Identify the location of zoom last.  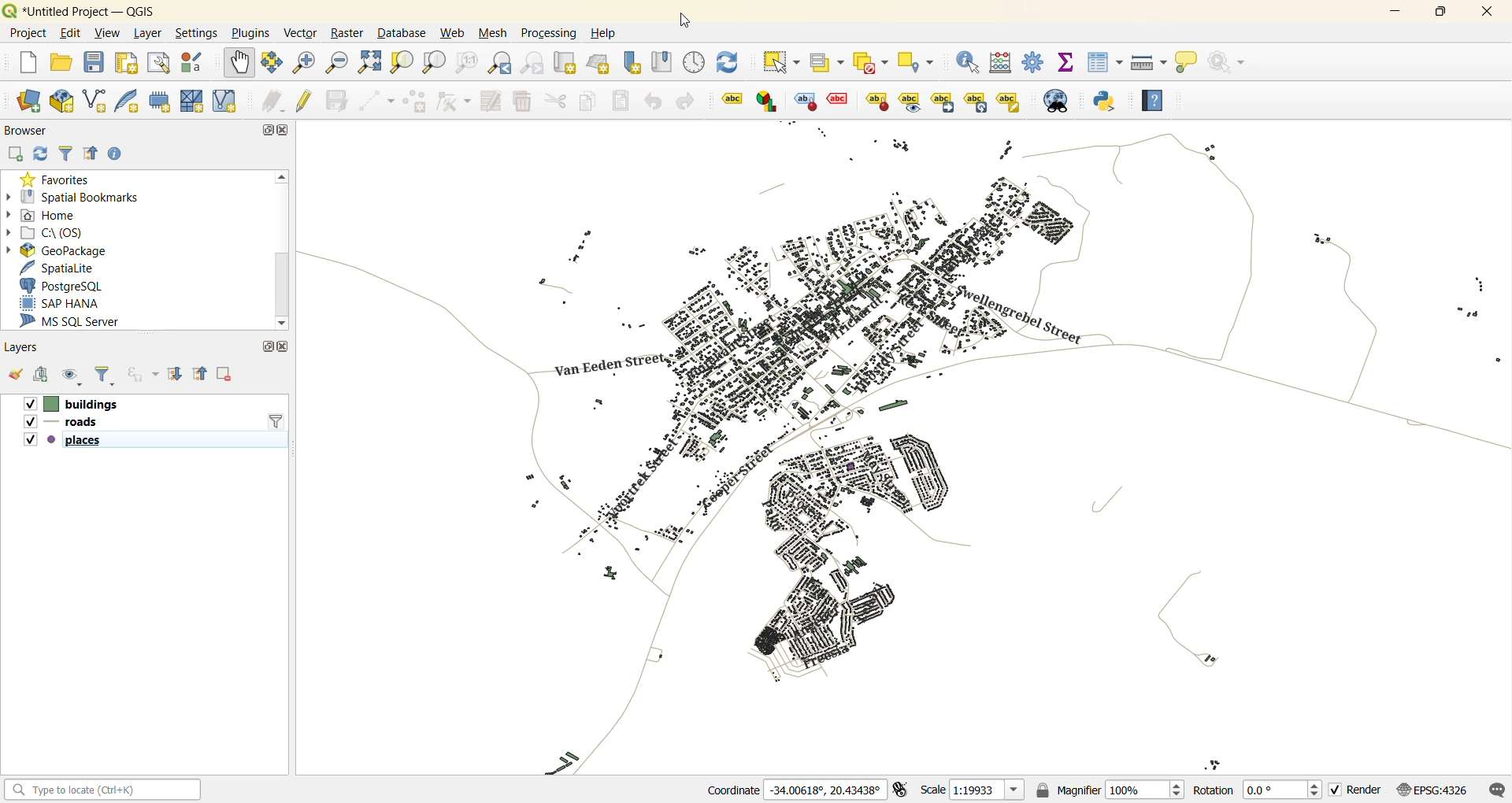
(500, 60).